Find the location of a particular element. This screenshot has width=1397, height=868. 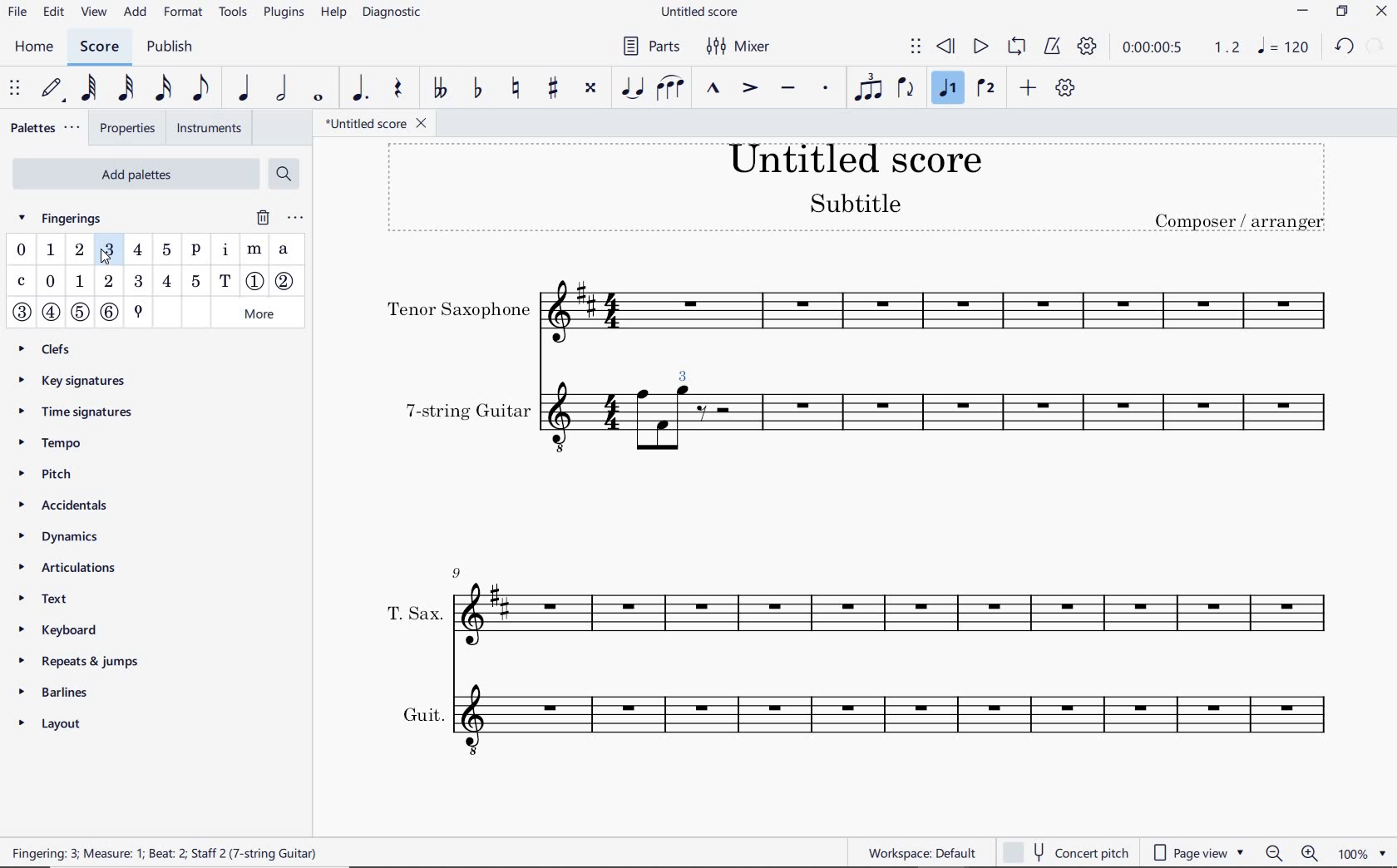

DEFAULT (STEP TIME) is located at coordinates (51, 89).